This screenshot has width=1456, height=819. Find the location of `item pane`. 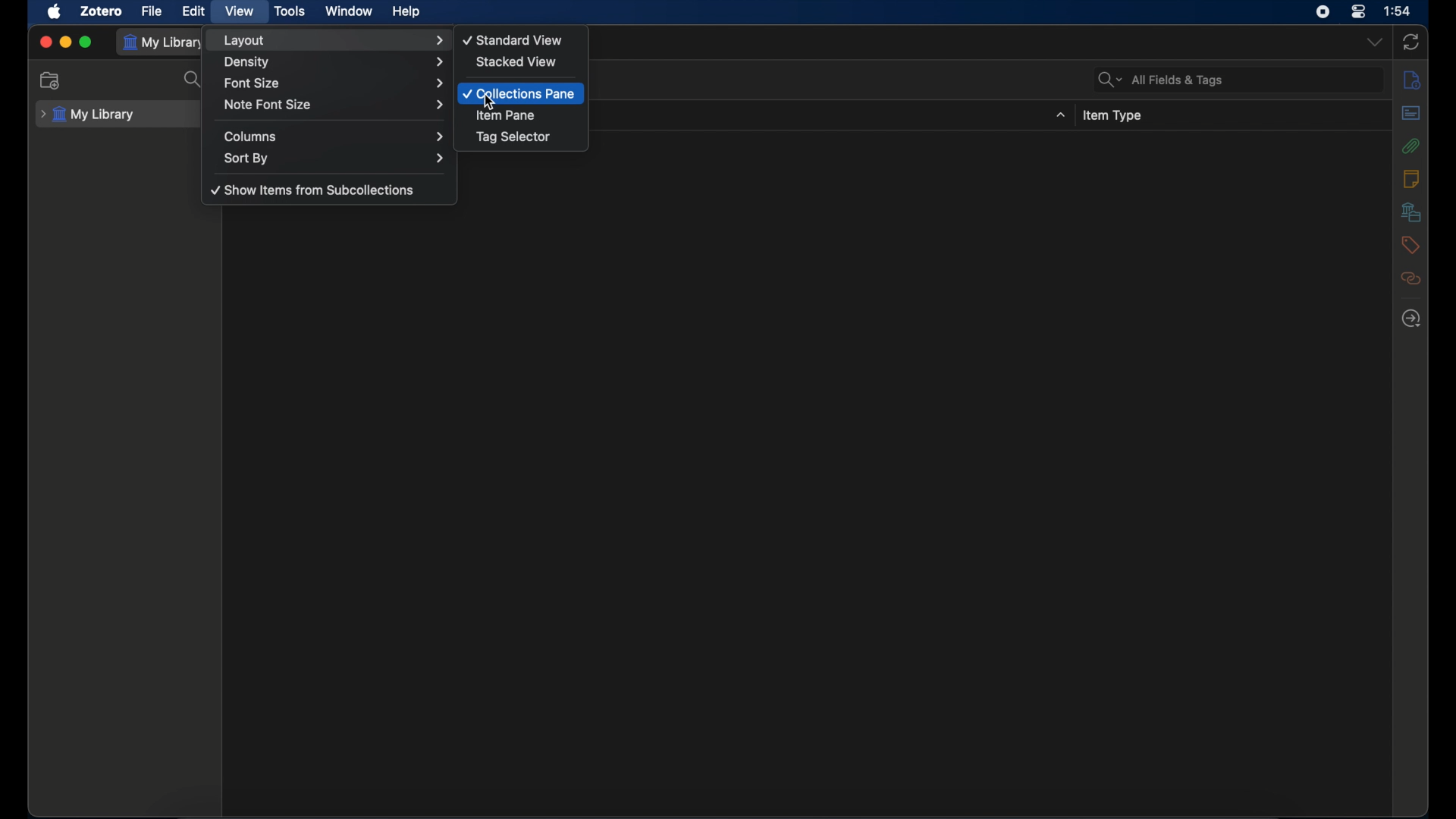

item pane is located at coordinates (507, 115).